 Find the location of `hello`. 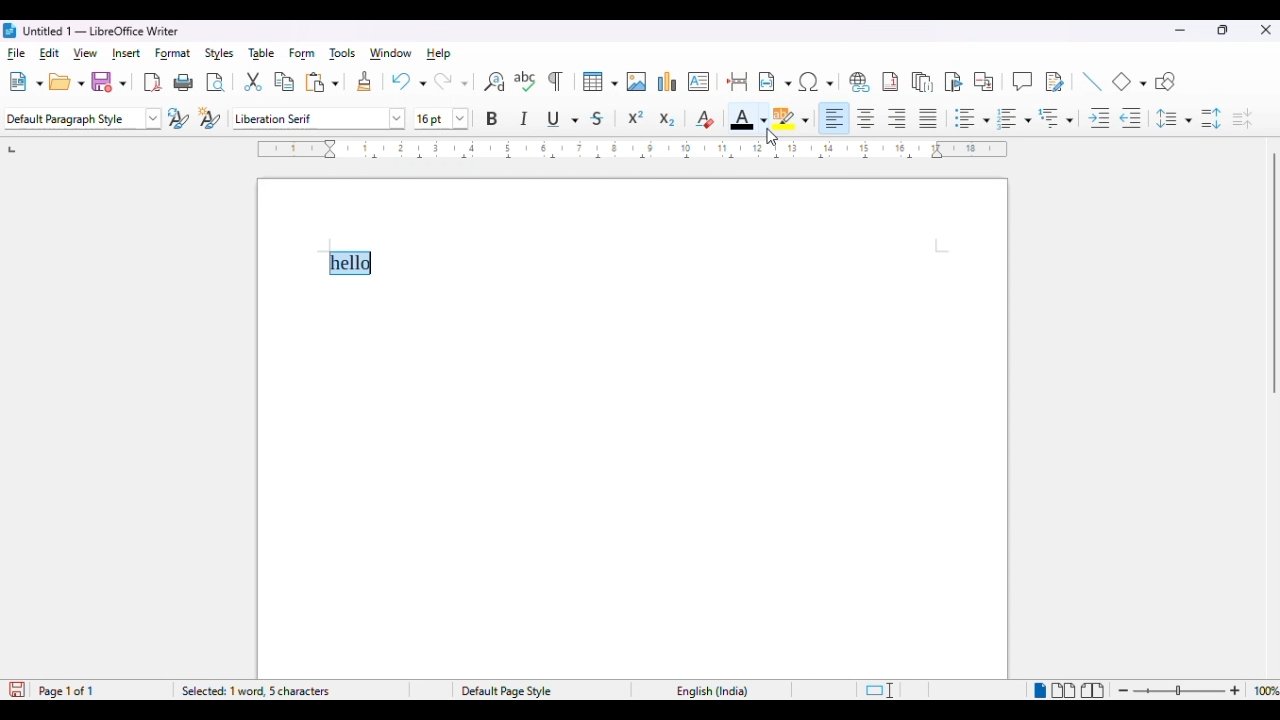

hello is located at coordinates (351, 264).